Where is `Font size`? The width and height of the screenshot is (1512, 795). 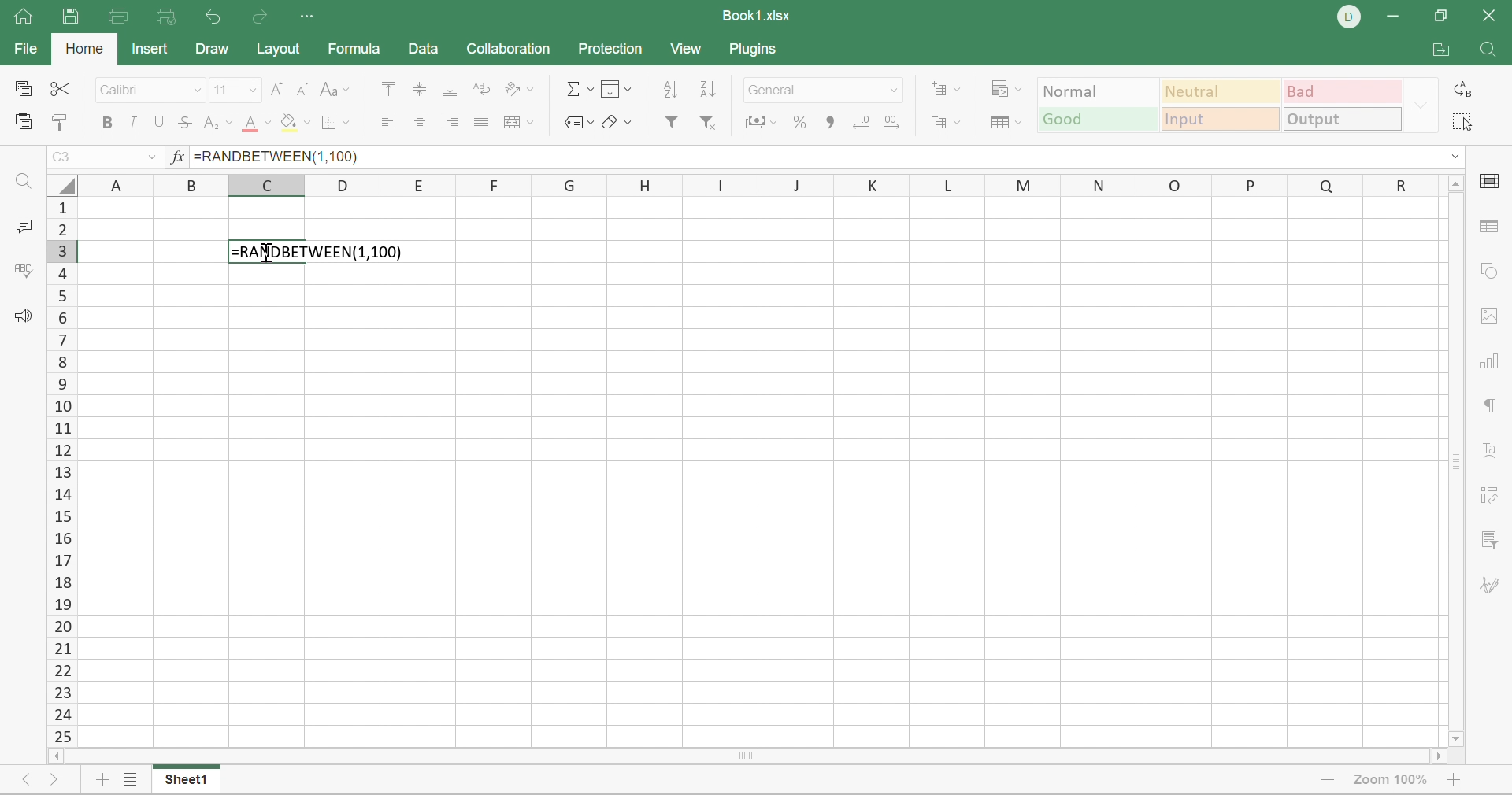
Font size is located at coordinates (221, 91).